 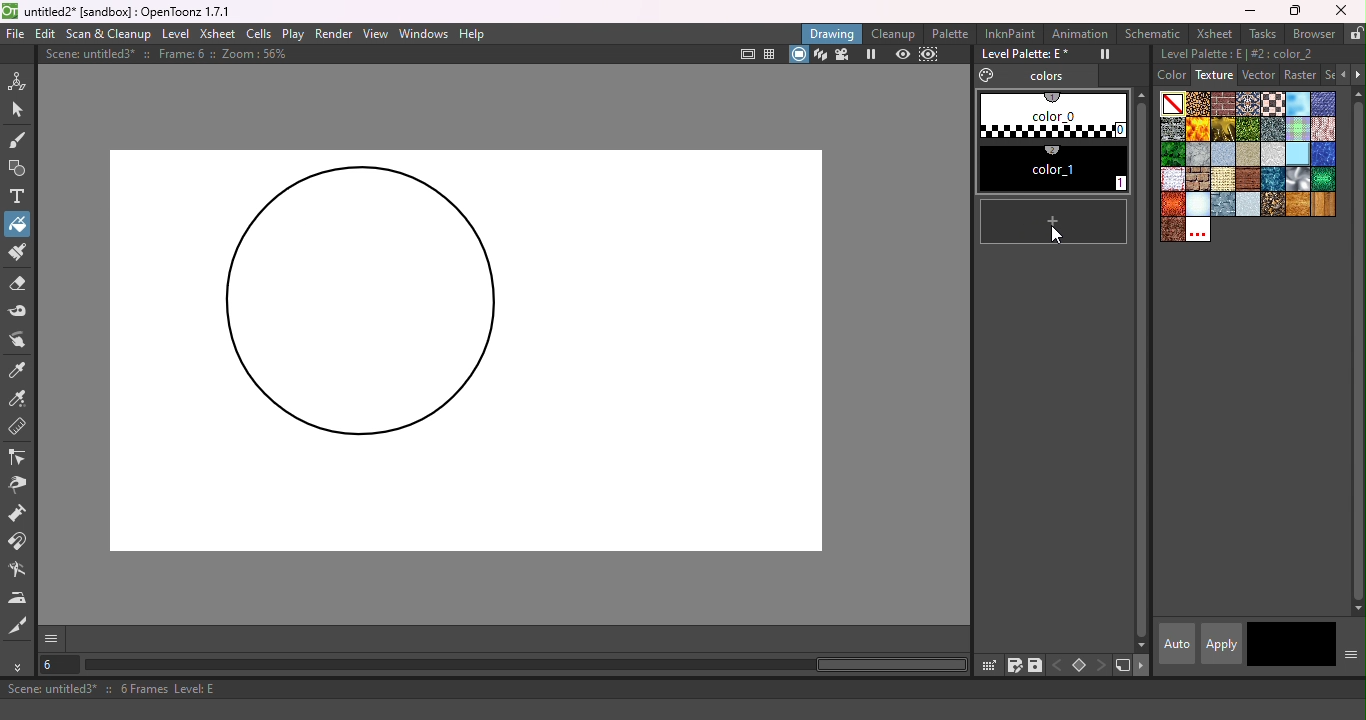 What do you see at coordinates (20, 113) in the screenshot?
I see `Selection tool` at bounding box center [20, 113].